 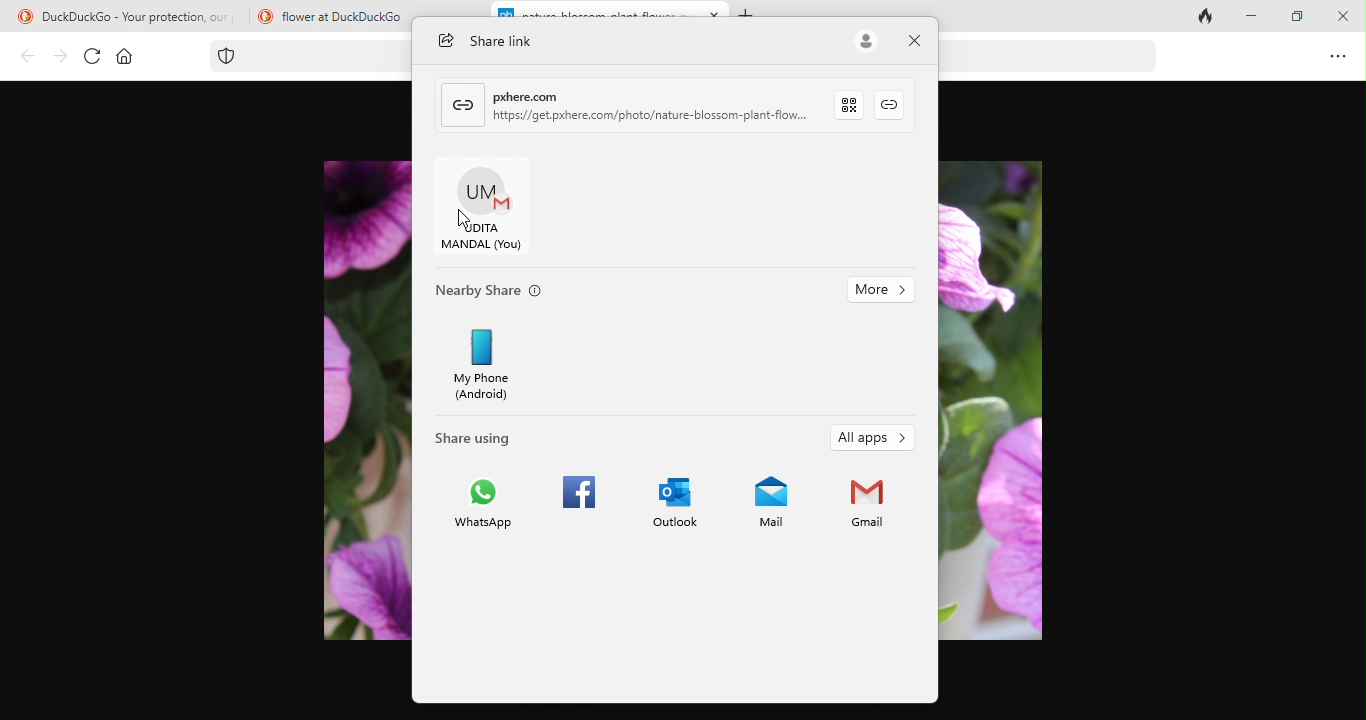 I want to click on account, so click(x=867, y=42).